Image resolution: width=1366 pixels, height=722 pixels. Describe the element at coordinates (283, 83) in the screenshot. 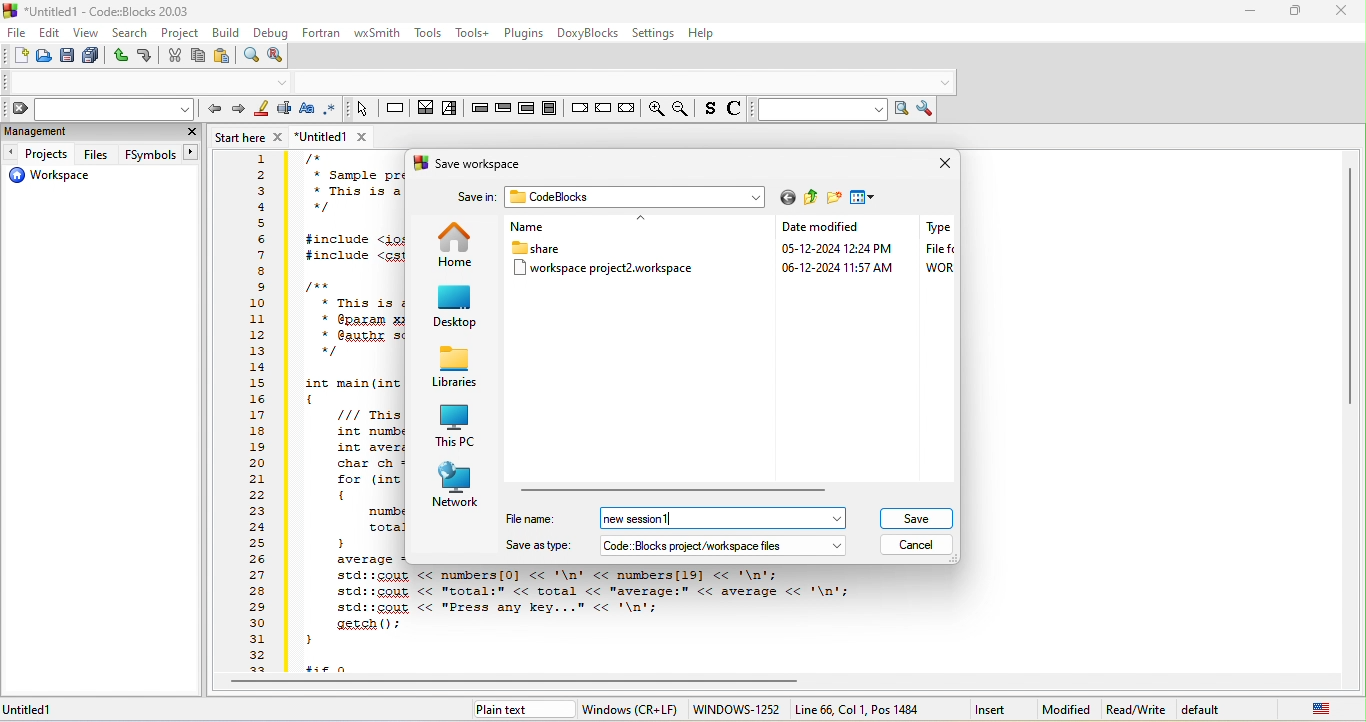

I see `dropdown` at that location.